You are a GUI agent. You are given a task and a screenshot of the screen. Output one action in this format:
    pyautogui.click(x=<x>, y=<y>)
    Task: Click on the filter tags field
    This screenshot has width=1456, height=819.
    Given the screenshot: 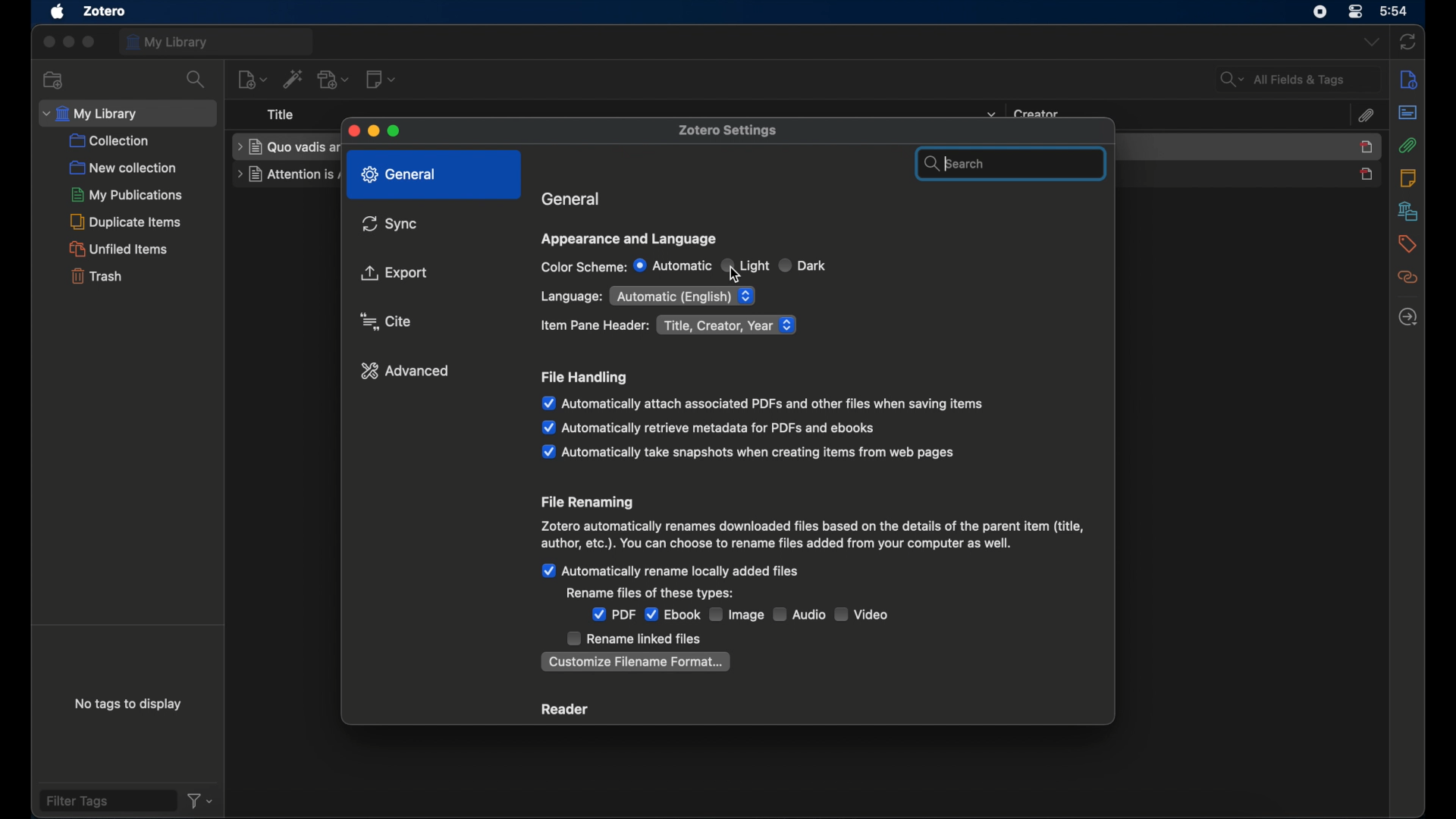 What is the action you would take?
    pyautogui.click(x=108, y=801)
    